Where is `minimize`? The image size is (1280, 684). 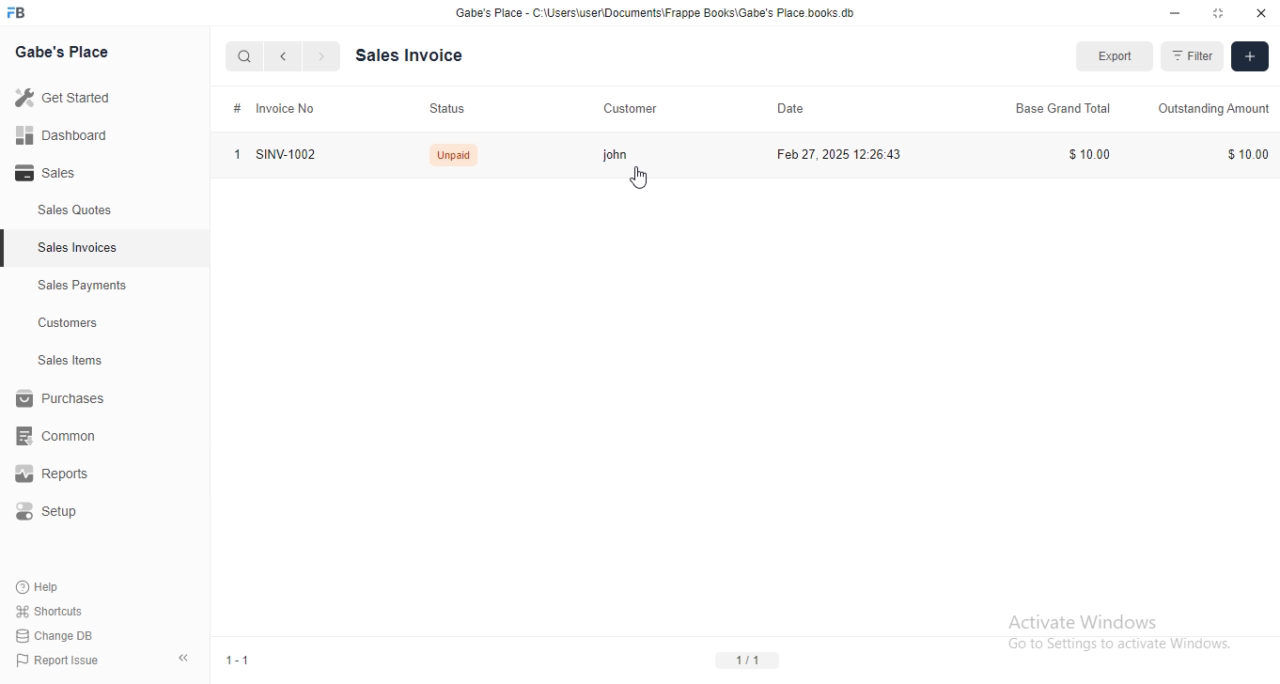 minimize is located at coordinates (1175, 13).